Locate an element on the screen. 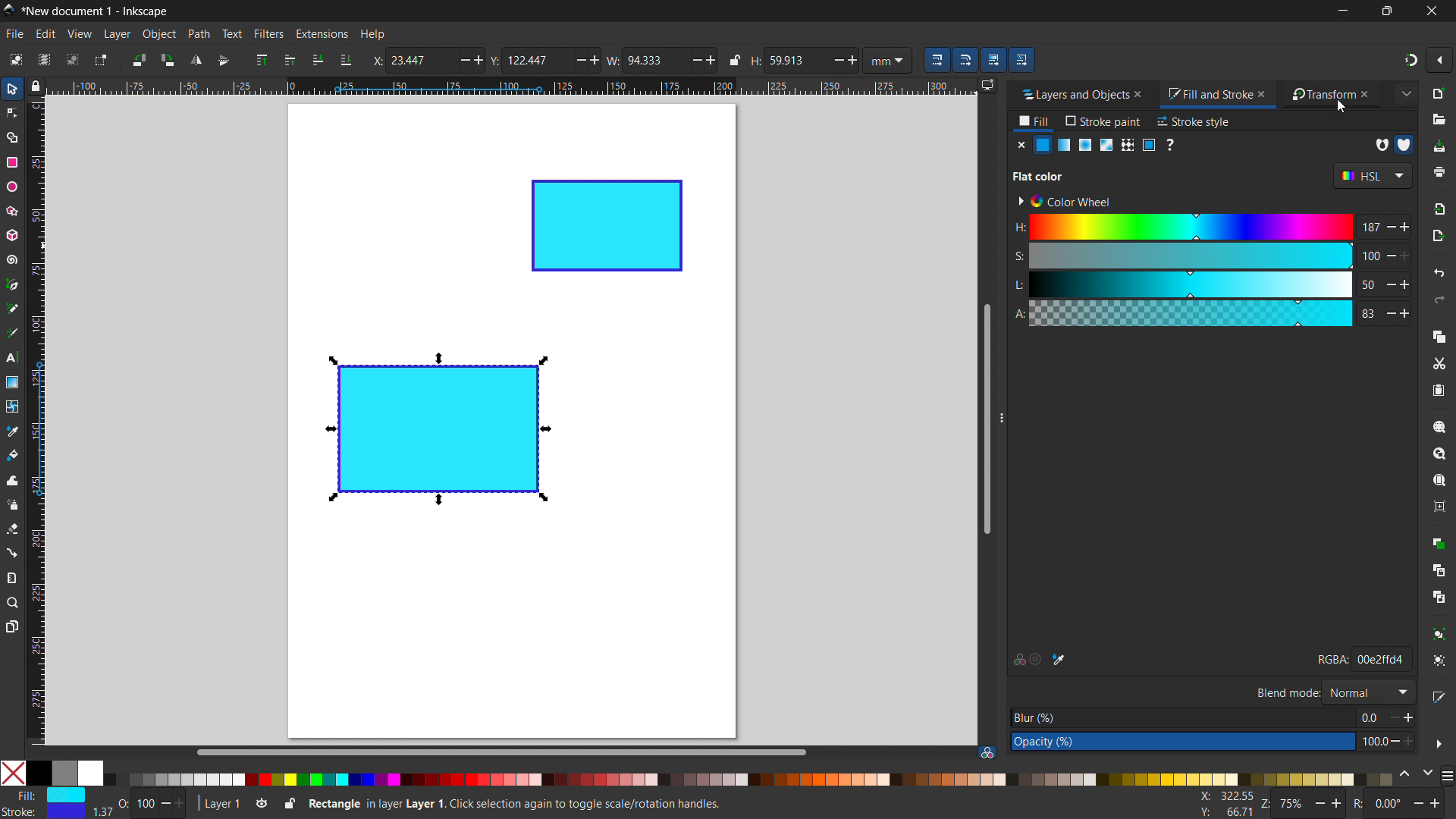 The height and width of the screenshot is (819, 1456). No color is located at coordinates (14, 772).